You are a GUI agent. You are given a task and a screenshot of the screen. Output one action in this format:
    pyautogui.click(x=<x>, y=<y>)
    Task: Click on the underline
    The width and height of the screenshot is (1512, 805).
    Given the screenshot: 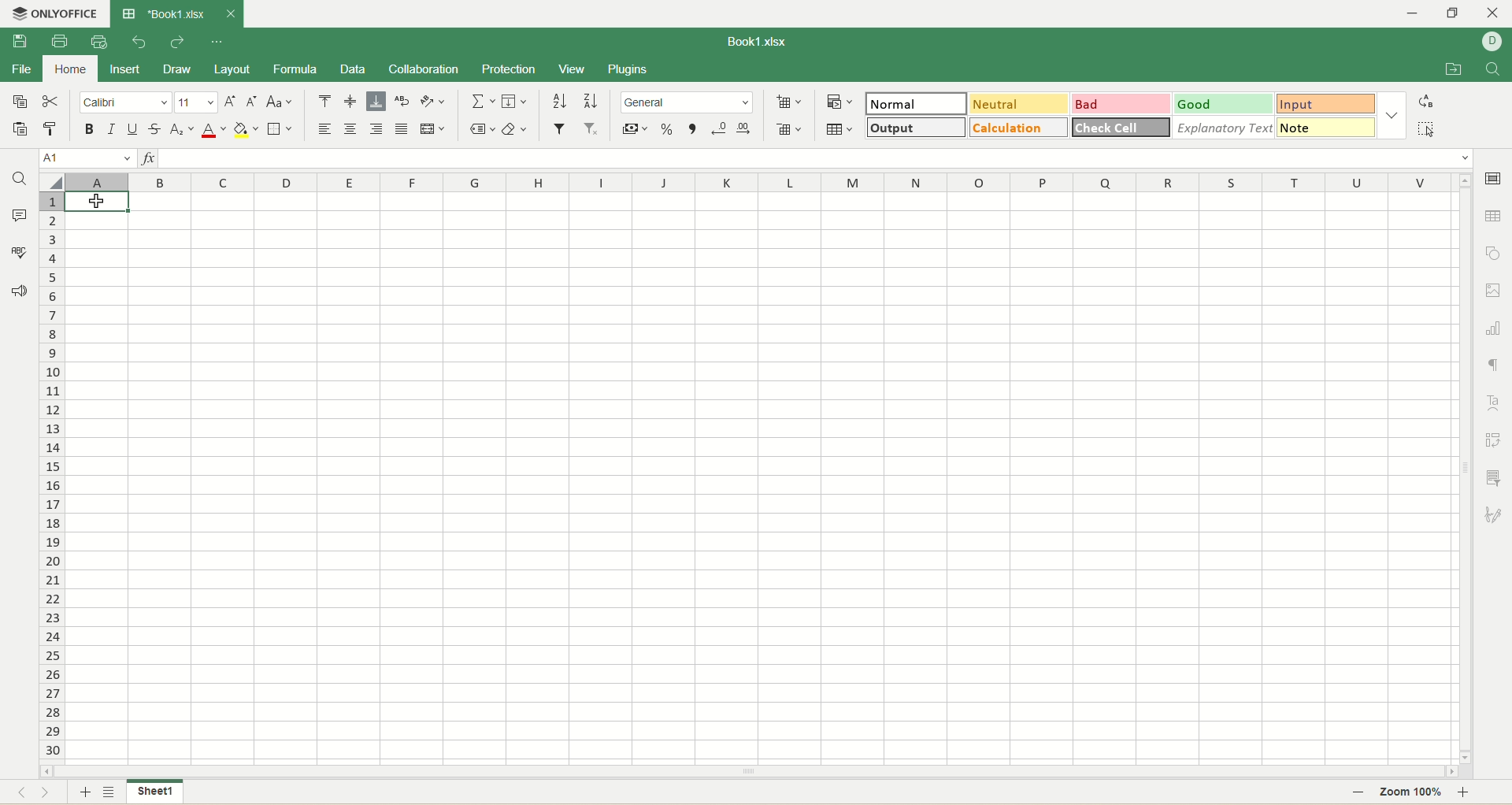 What is the action you would take?
    pyautogui.click(x=134, y=131)
    